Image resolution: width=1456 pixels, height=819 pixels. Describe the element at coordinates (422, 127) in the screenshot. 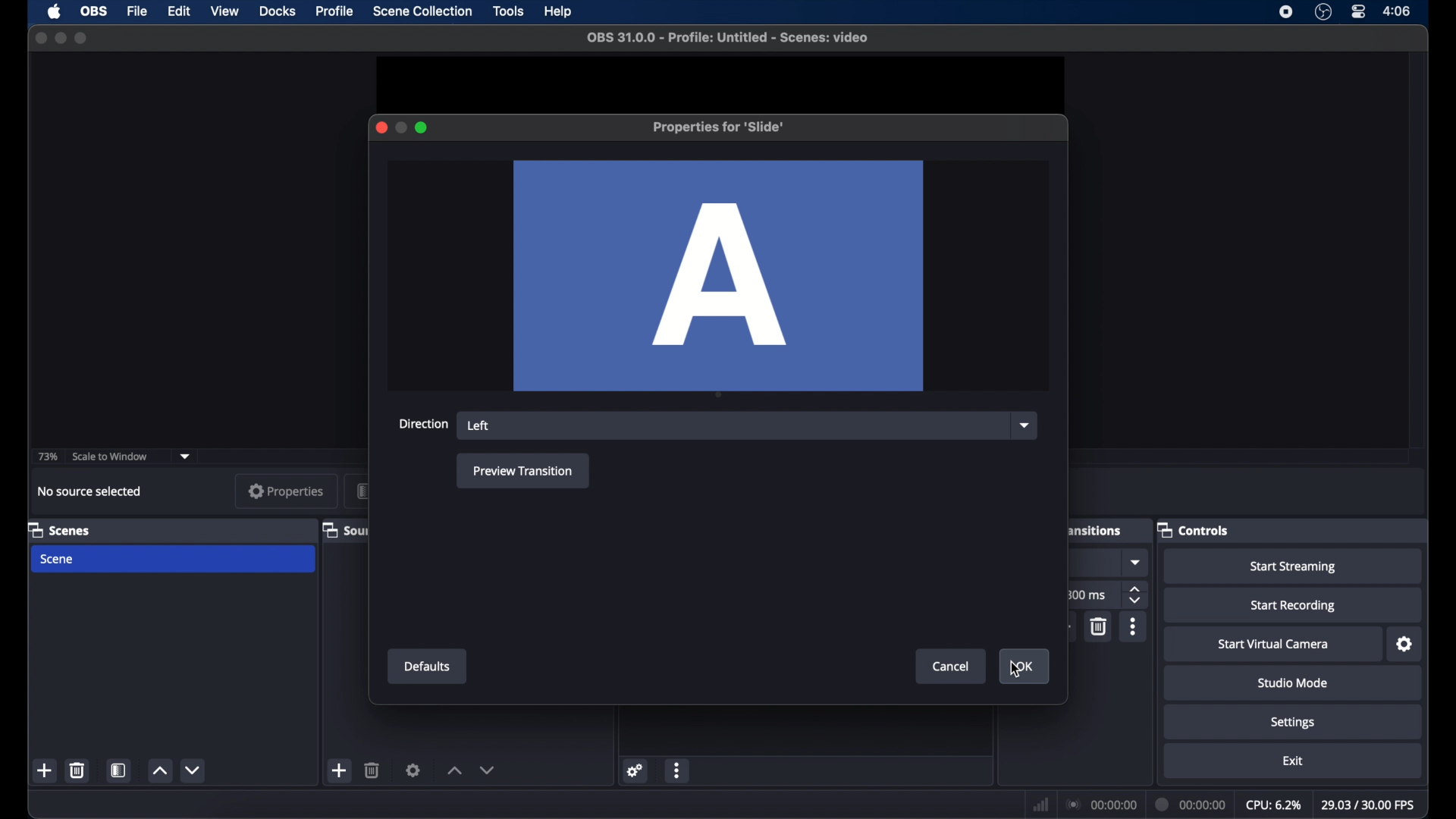

I see `maximize` at that location.